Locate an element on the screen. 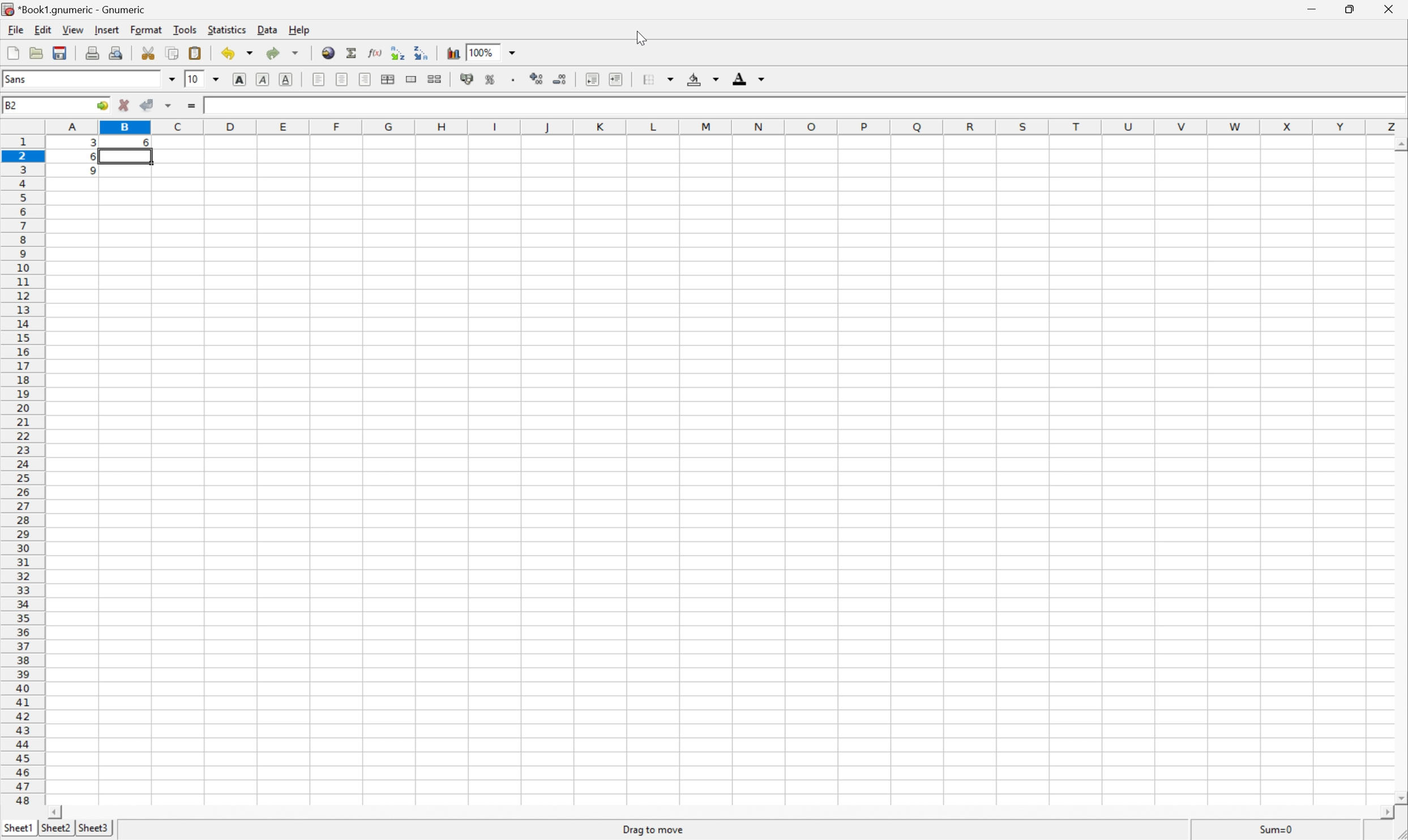 Image resolution: width=1408 pixels, height=840 pixels. Sort the selected region in descending order based on the first column selected is located at coordinates (422, 53).